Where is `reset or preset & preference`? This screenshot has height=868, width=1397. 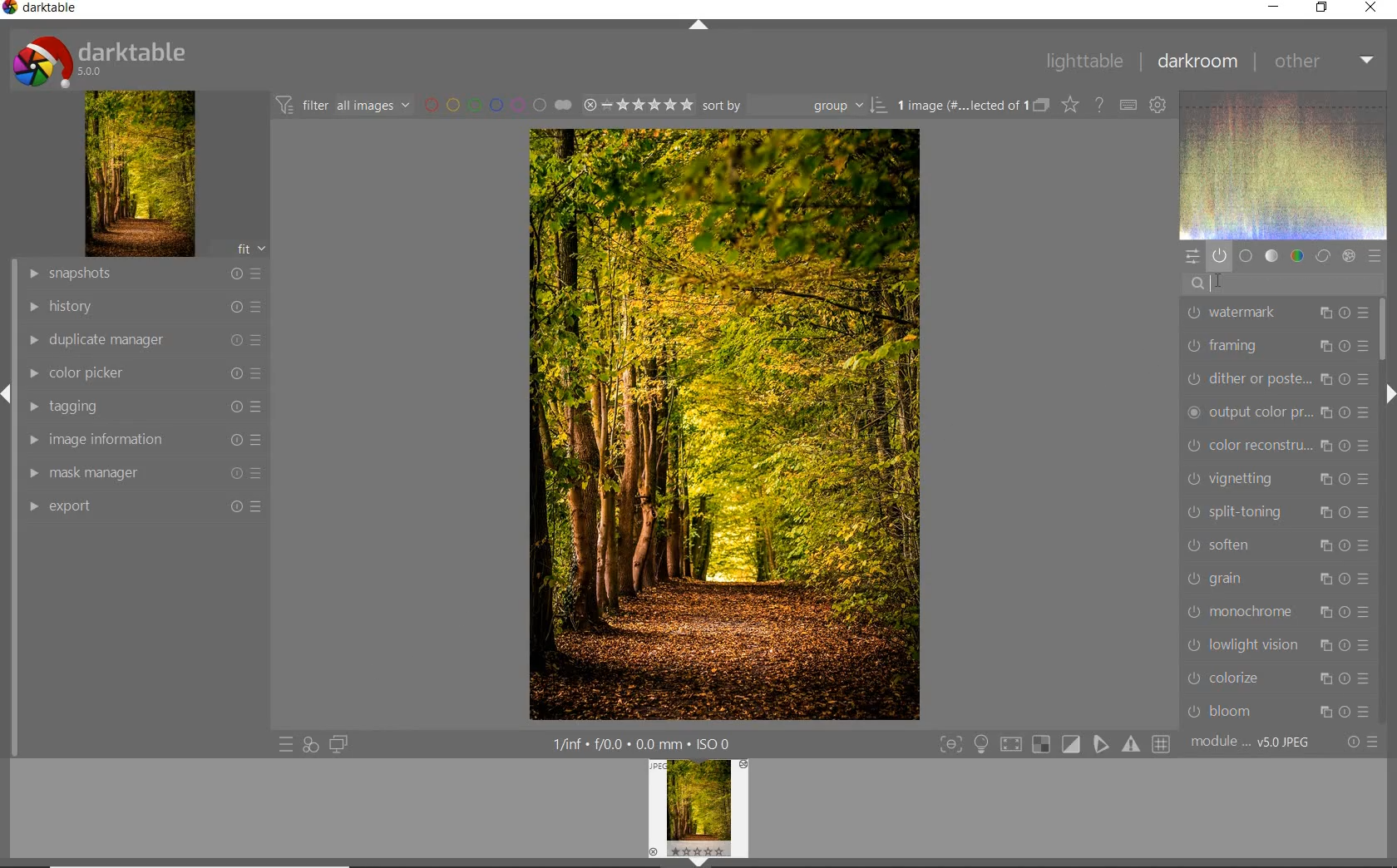 reset or preset & preference is located at coordinates (1361, 742).